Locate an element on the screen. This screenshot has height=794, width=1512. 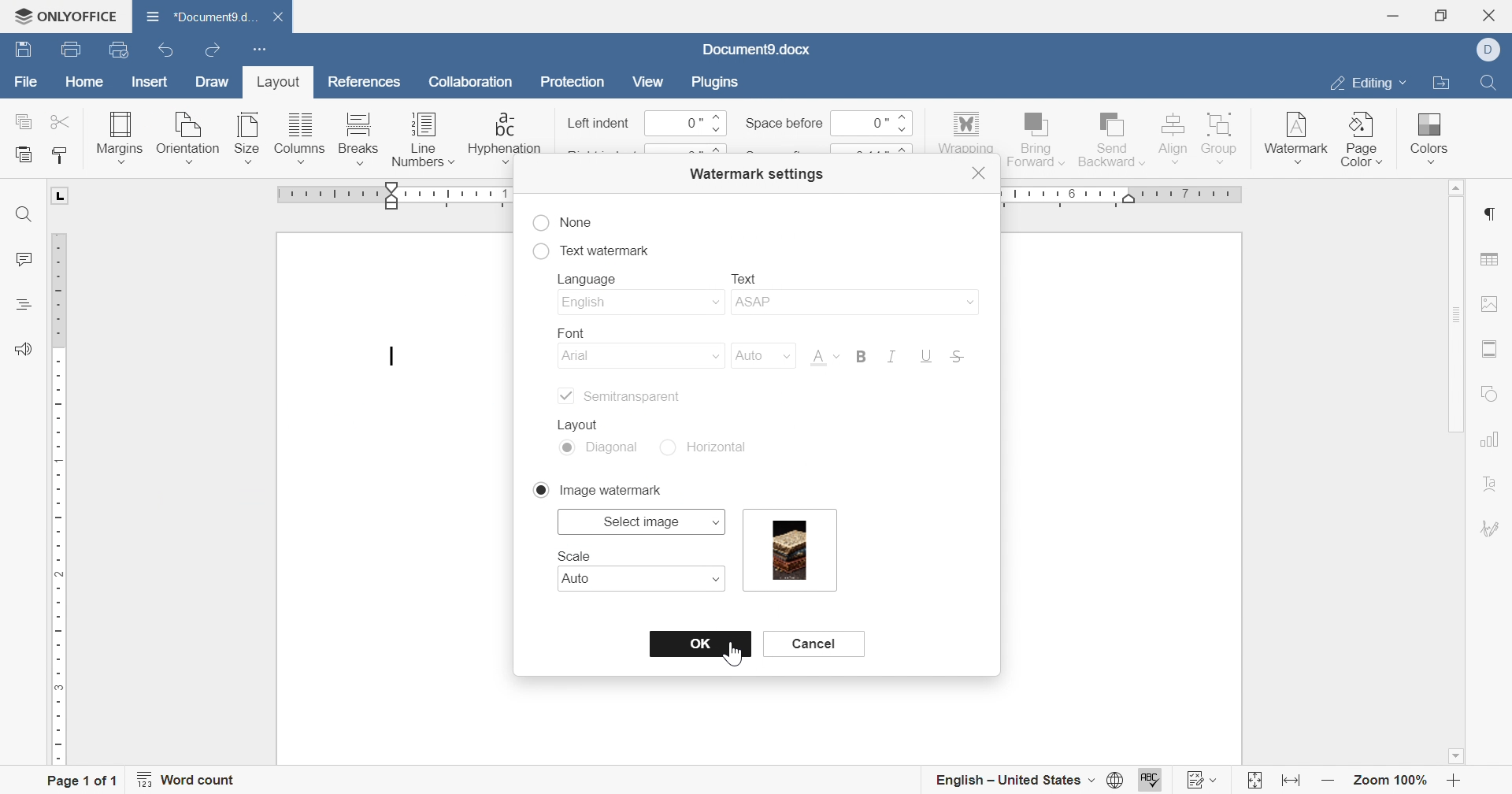
table settings is located at coordinates (1489, 261).